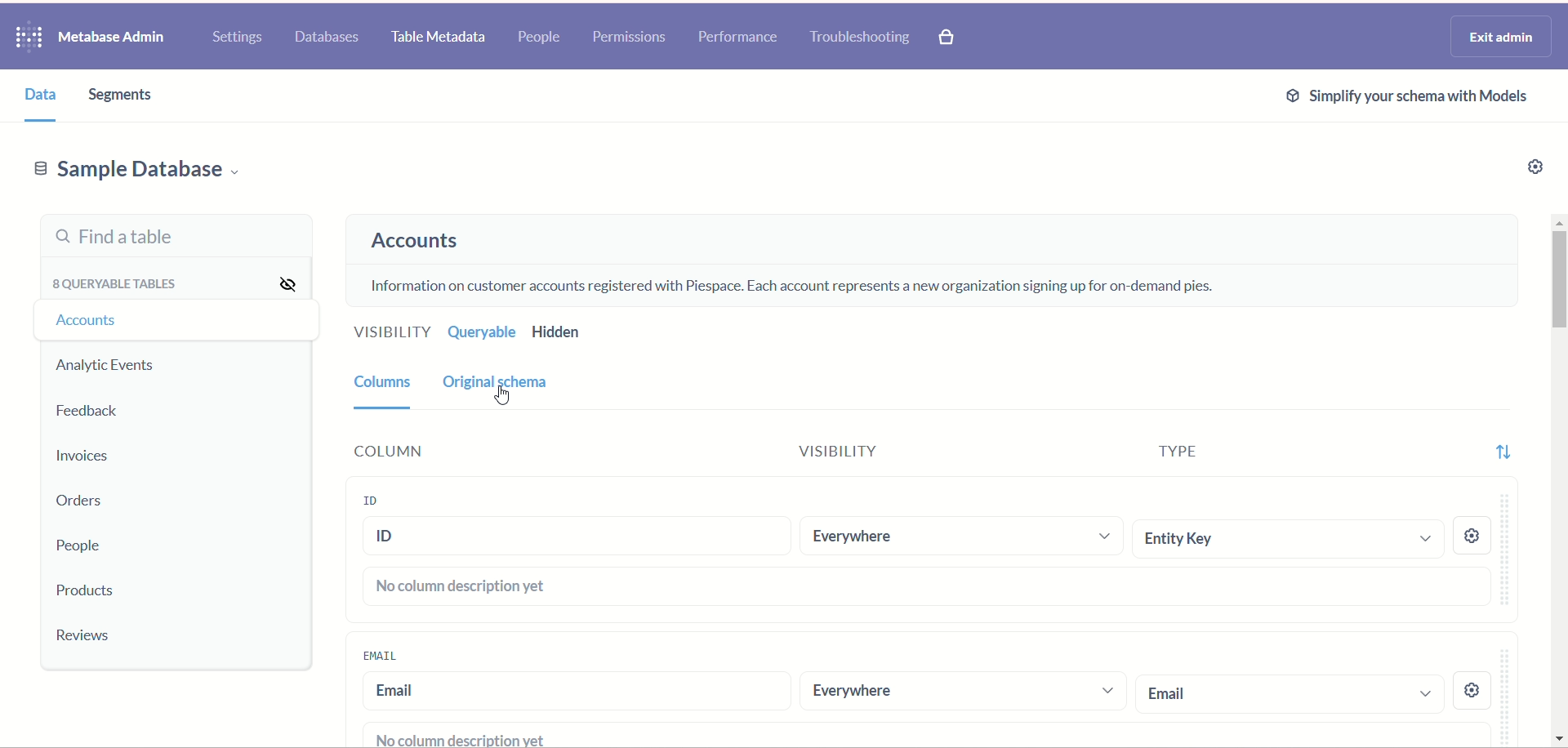 Image resolution: width=1568 pixels, height=748 pixels. What do you see at coordinates (486, 333) in the screenshot?
I see `queryable` at bounding box center [486, 333].